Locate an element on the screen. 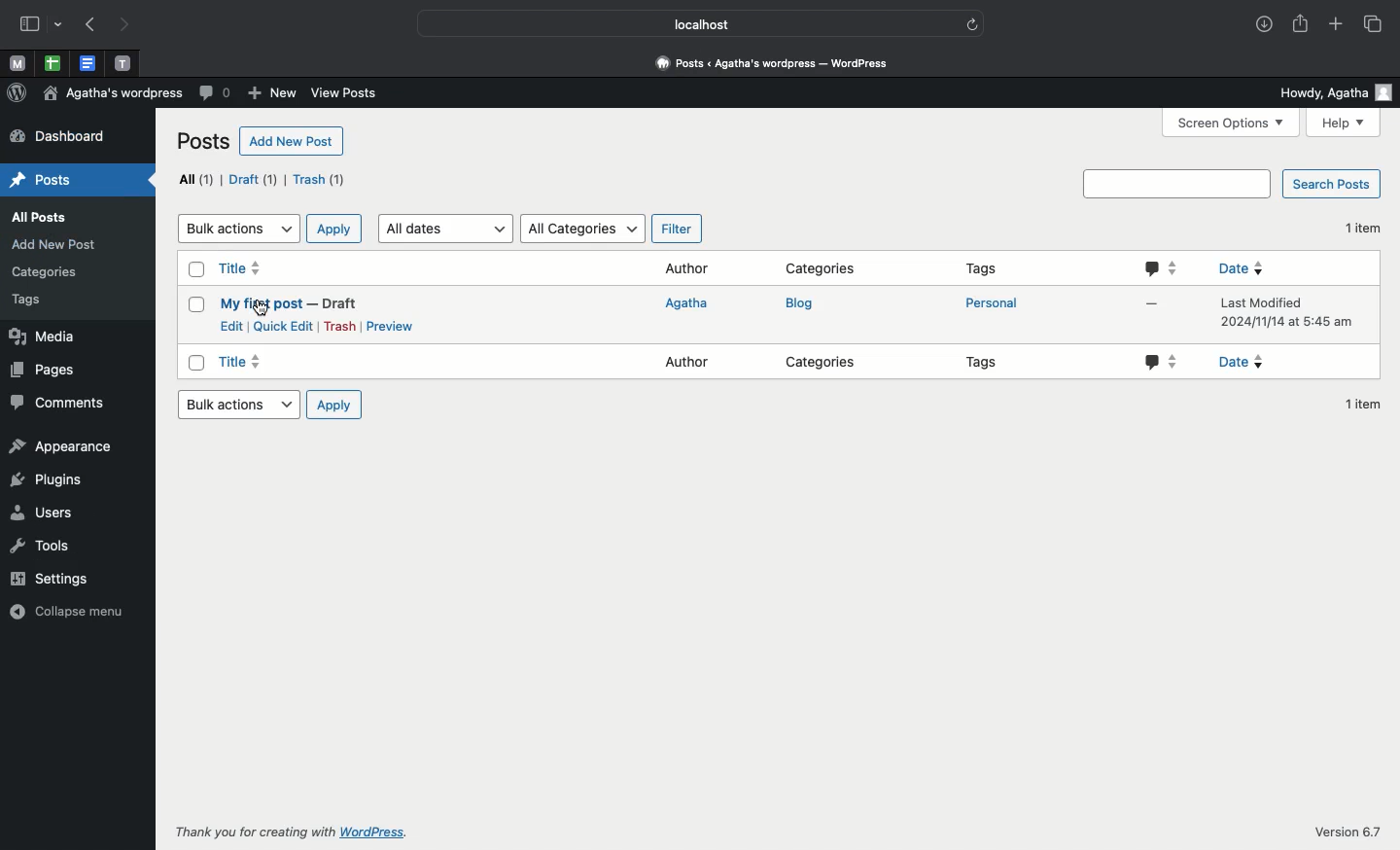 Image resolution: width=1400 pixels, height=850 pixels. pinned tabs is located at coordinates (55, 64).